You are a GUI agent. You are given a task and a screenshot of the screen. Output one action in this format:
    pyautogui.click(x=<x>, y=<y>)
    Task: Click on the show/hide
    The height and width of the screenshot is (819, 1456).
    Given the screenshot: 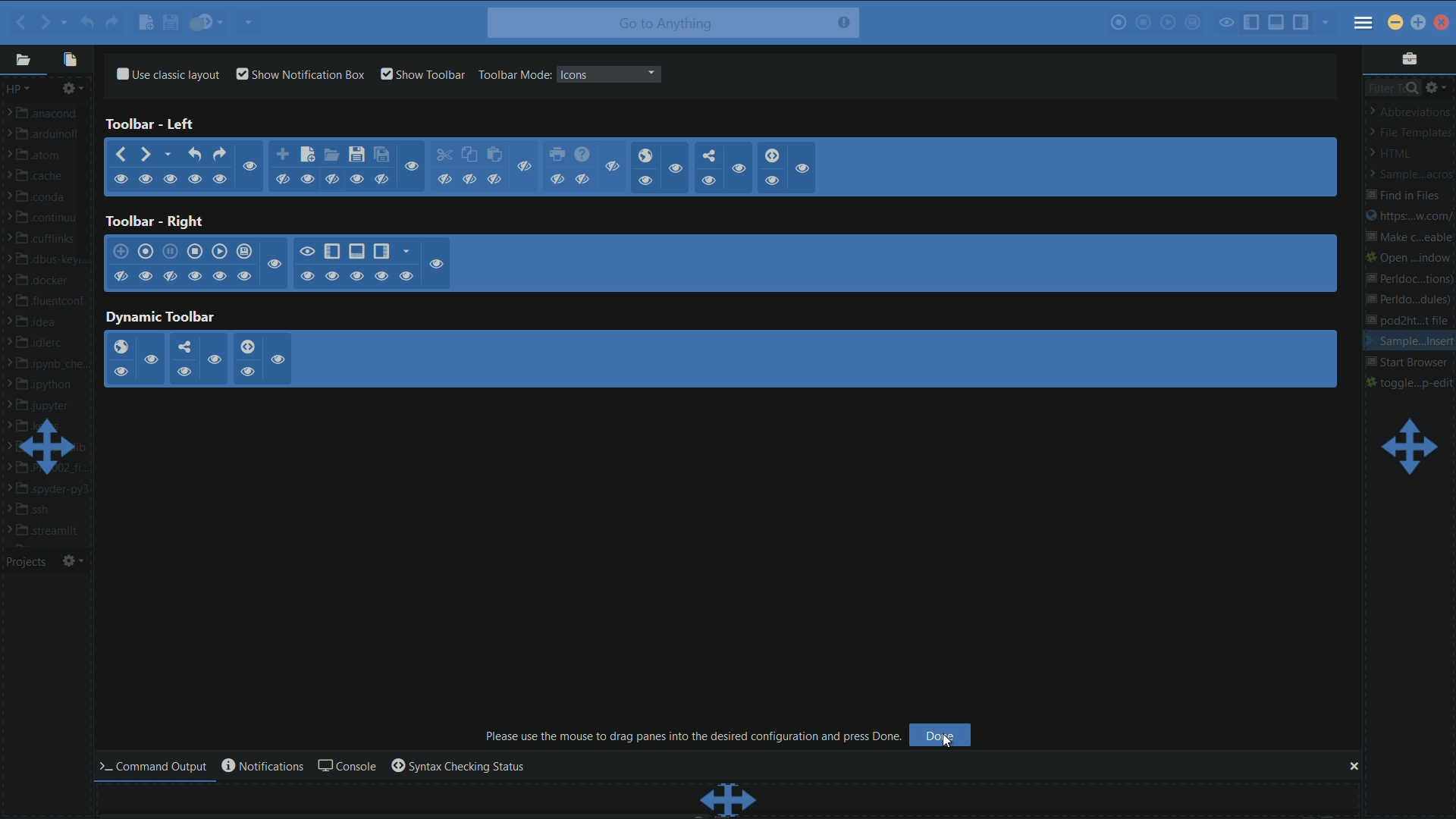 What is the action you would take?
    pyautogui.click(x=282, y=180)
    